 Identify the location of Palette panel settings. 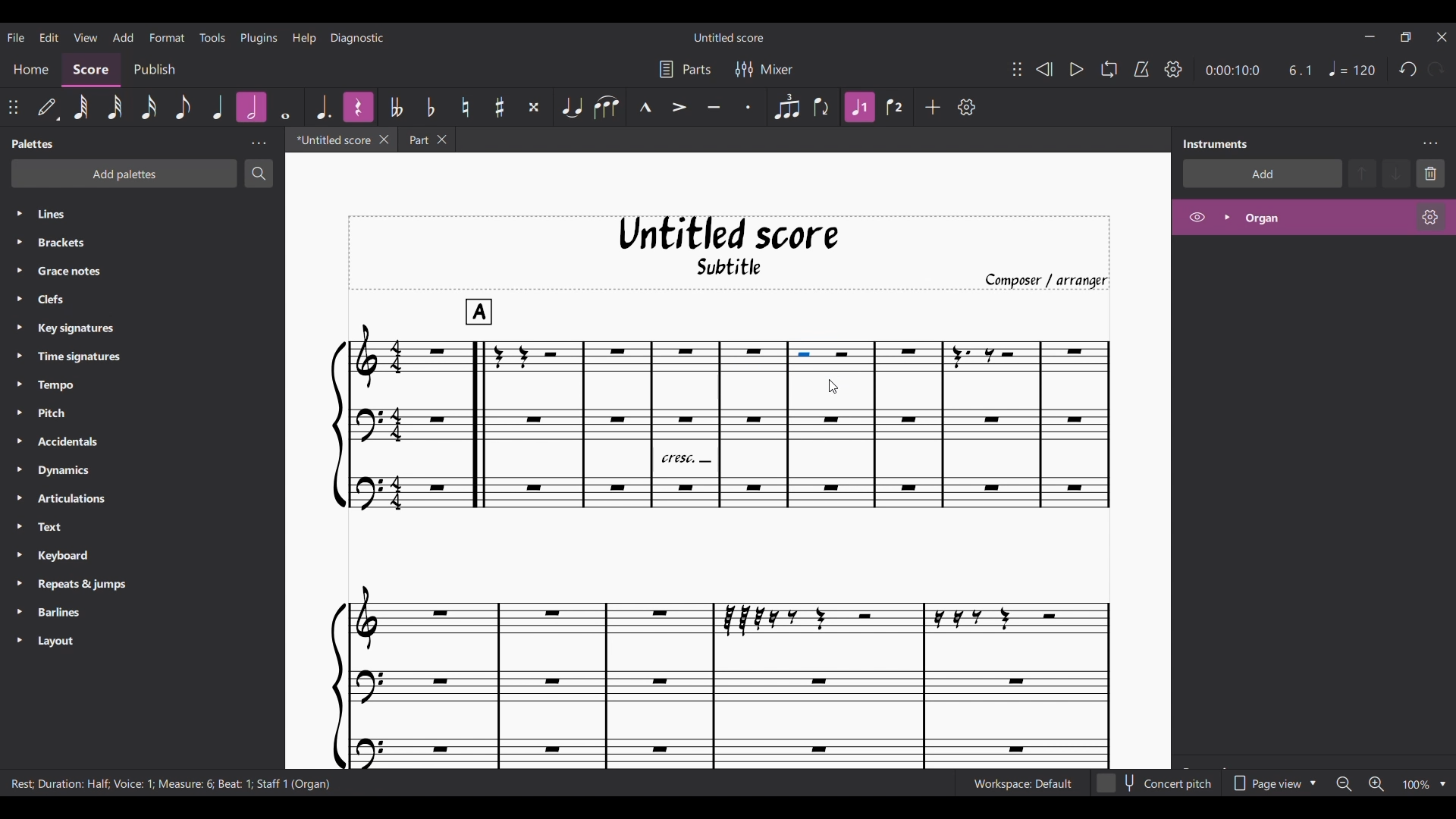
(259, 144).